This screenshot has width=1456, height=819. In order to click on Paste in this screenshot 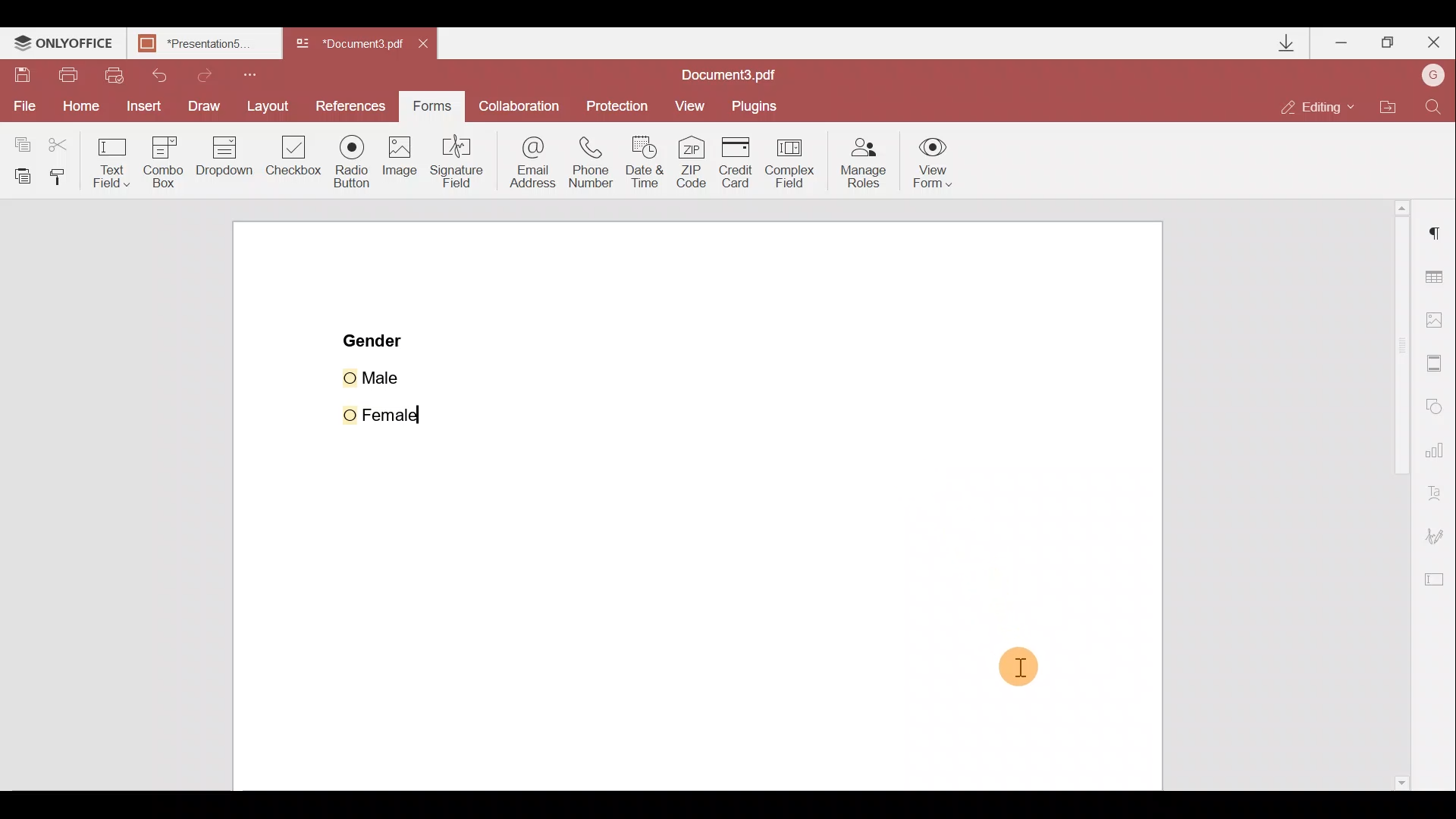, I will do `click(20, 174)`.